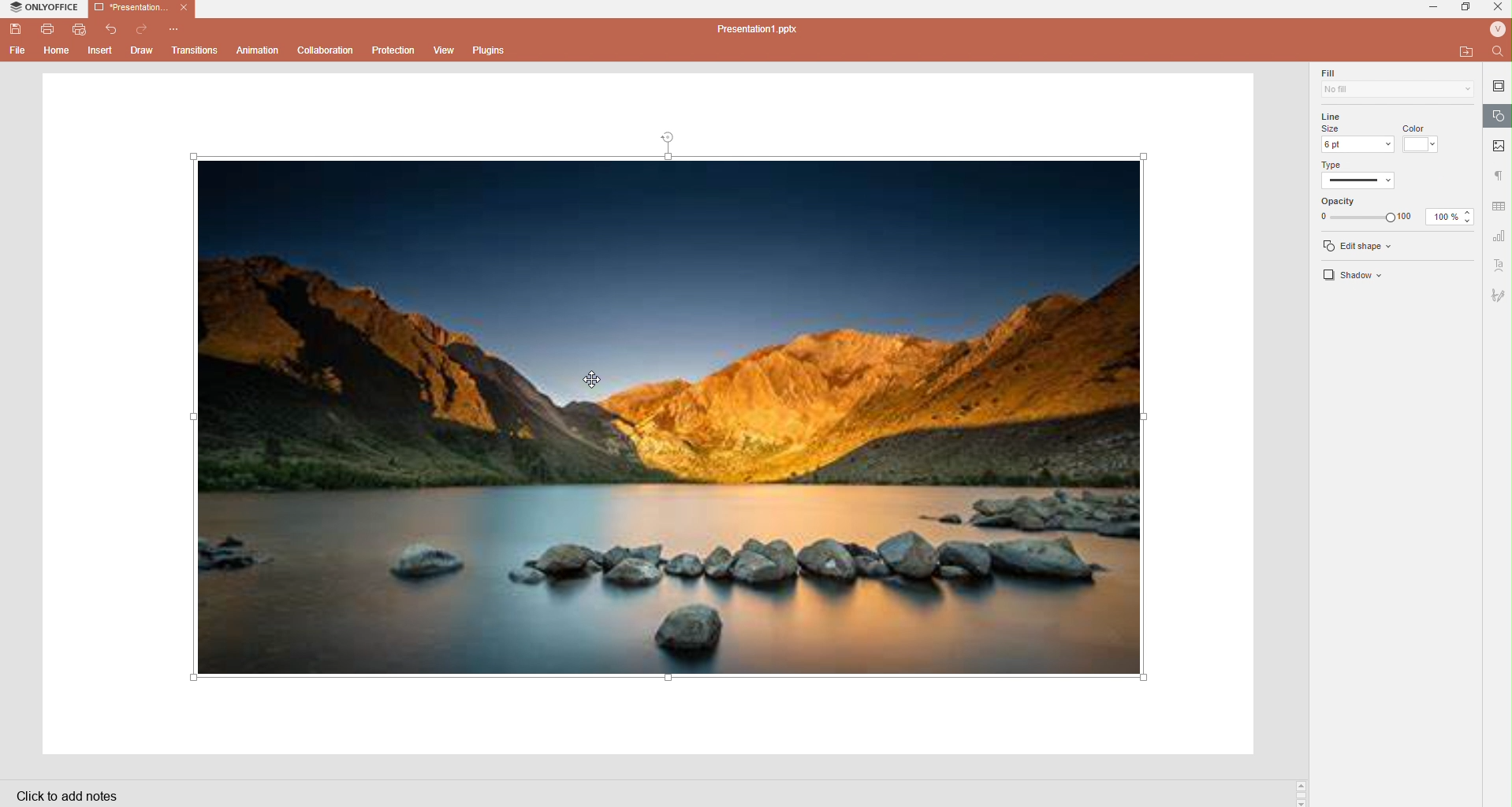  What do you see at coordinates (1387, 175) in the screenshot?
I see `Line Type` at bounding box center [1387, 175].